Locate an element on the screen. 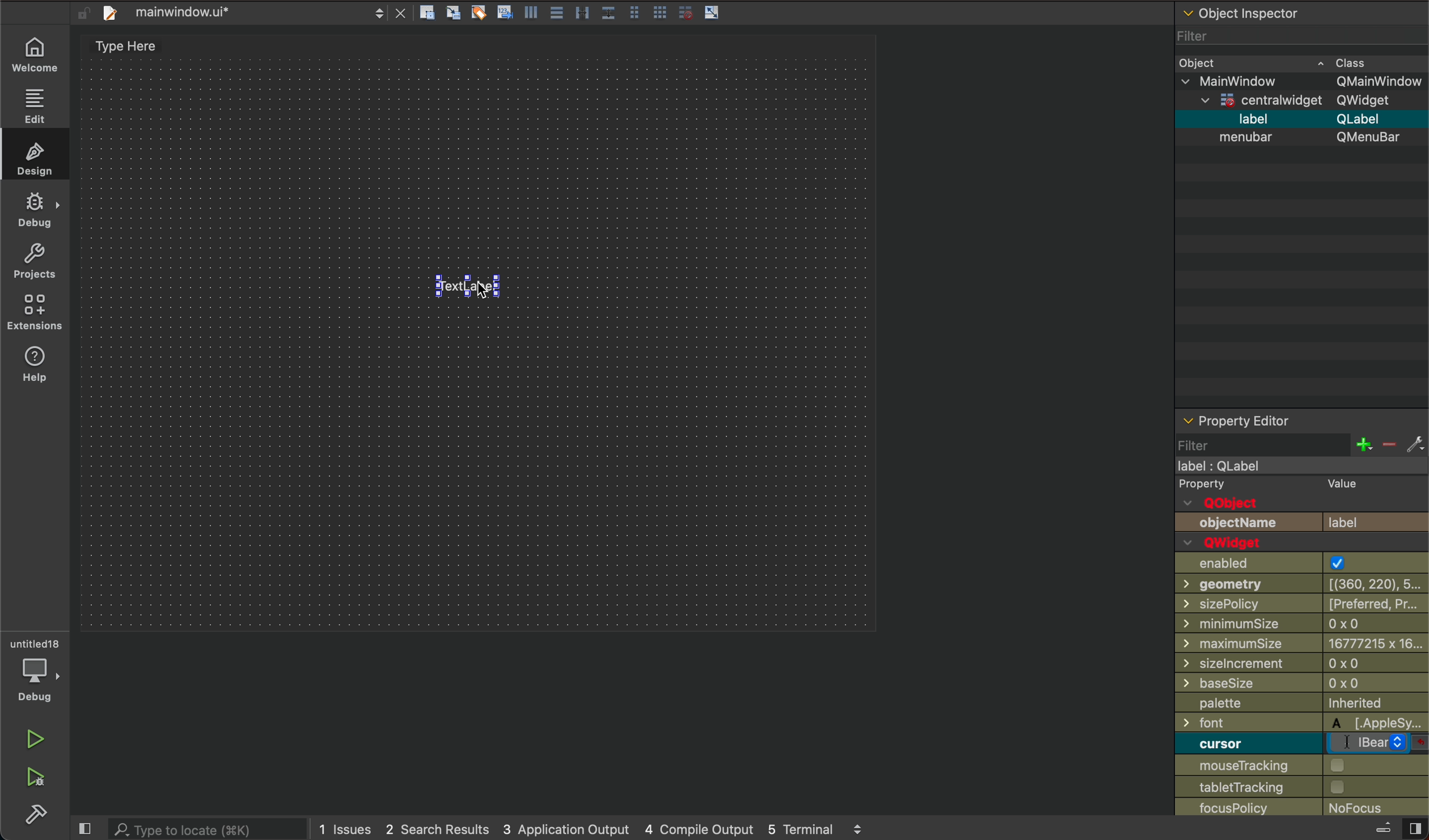  close slide bar is located at coordinates (88, 829).